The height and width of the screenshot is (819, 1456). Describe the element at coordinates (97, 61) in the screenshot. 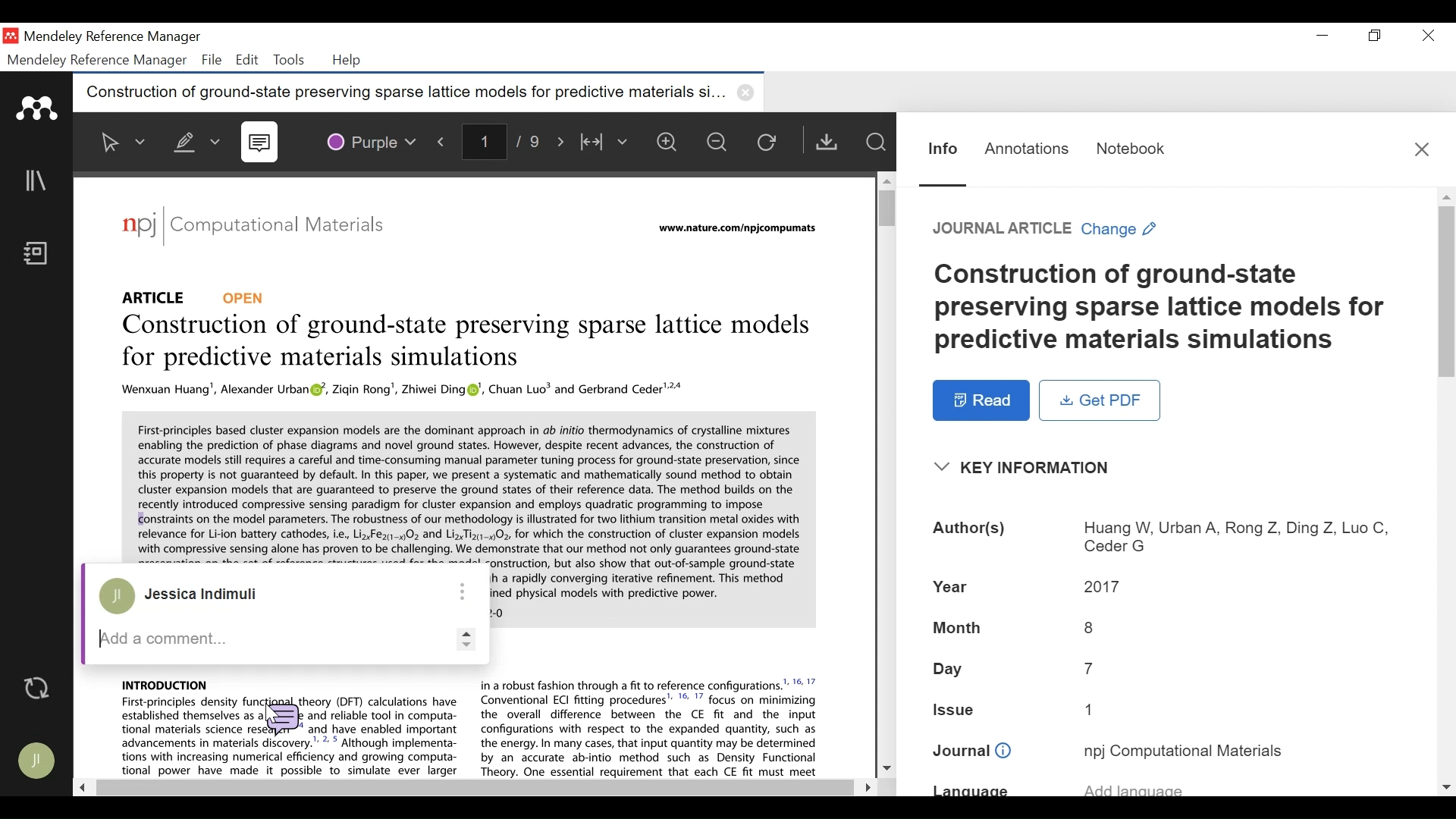

I see `Mendeley Reference Manager` at that location.